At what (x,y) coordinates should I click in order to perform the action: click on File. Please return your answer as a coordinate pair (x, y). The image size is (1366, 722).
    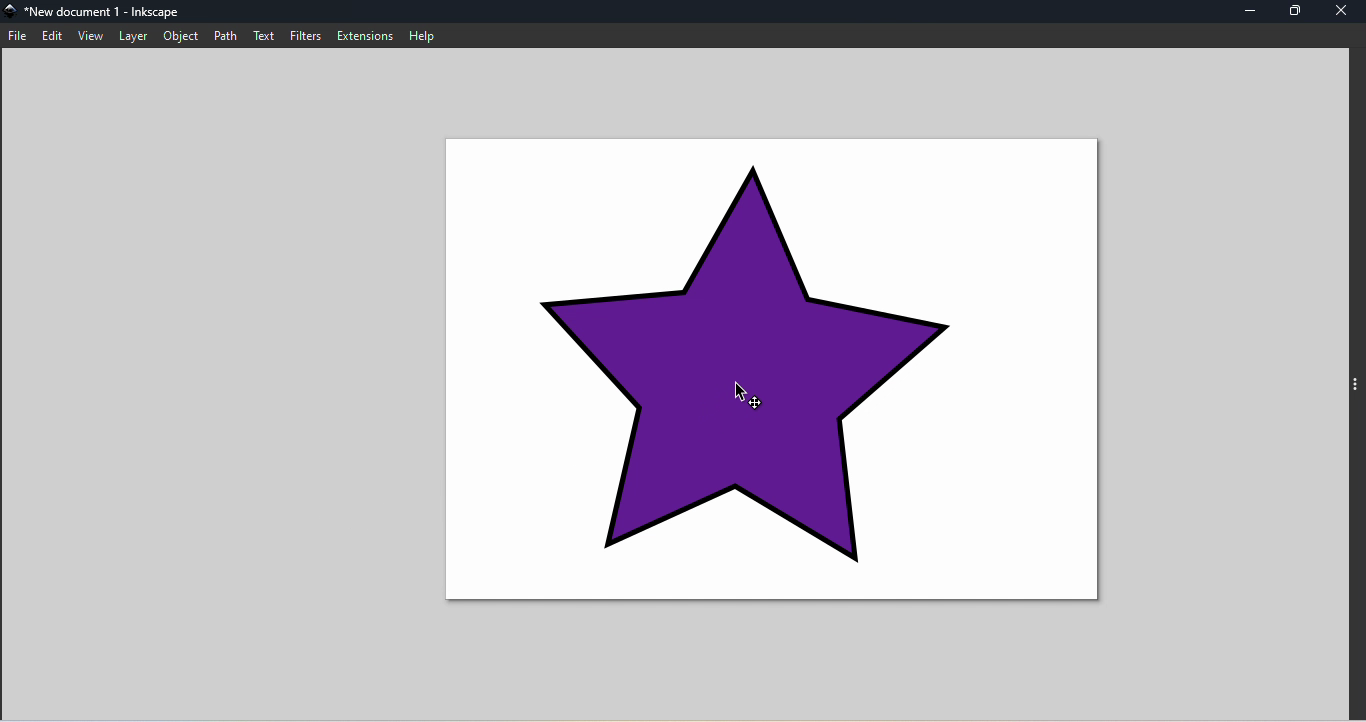
    Looking at the image, I should click on (18, 38).